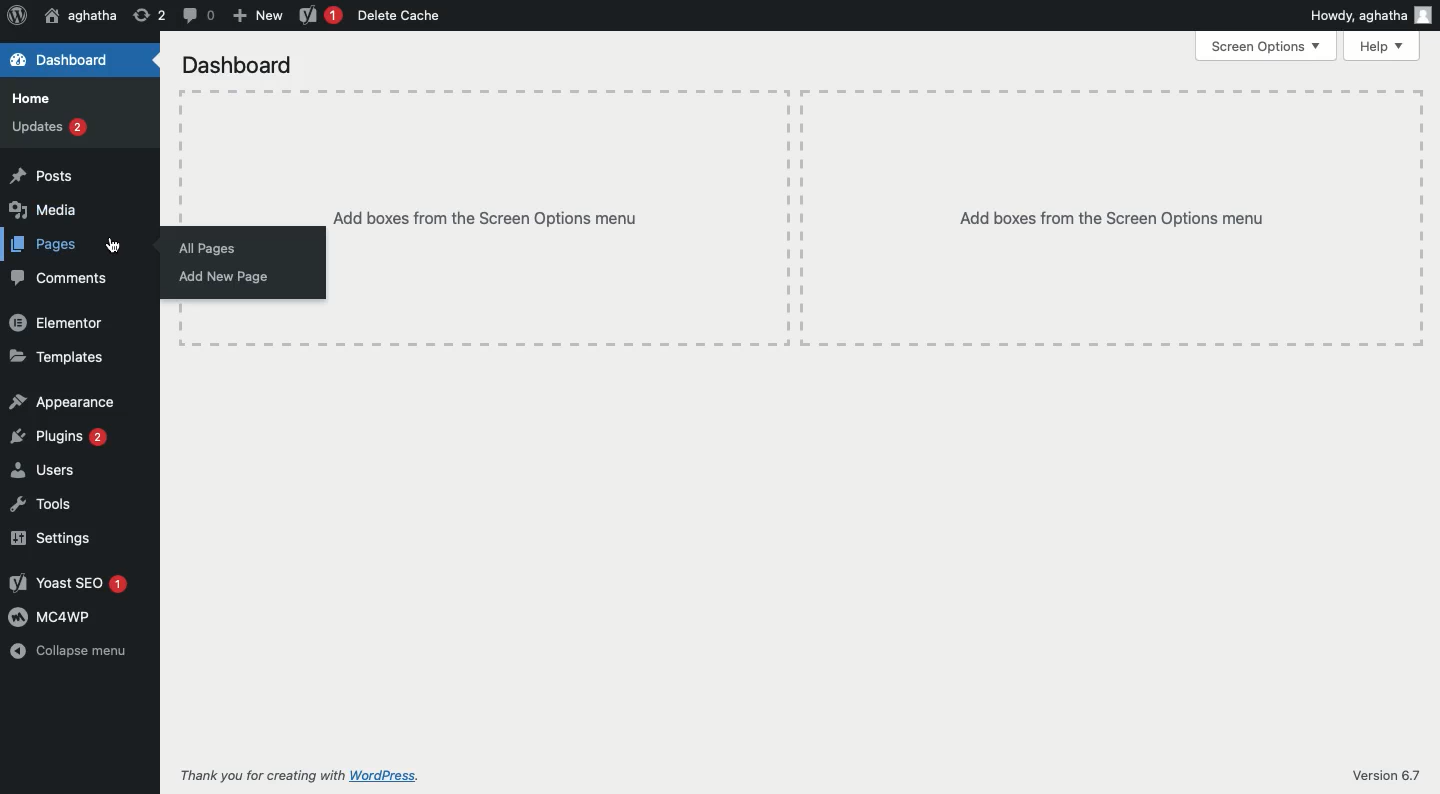 The image size is (1440, 794). What do you see at coordinates (258, 13) in the screenshot?
I see `New` at bounding box center [258, 13].